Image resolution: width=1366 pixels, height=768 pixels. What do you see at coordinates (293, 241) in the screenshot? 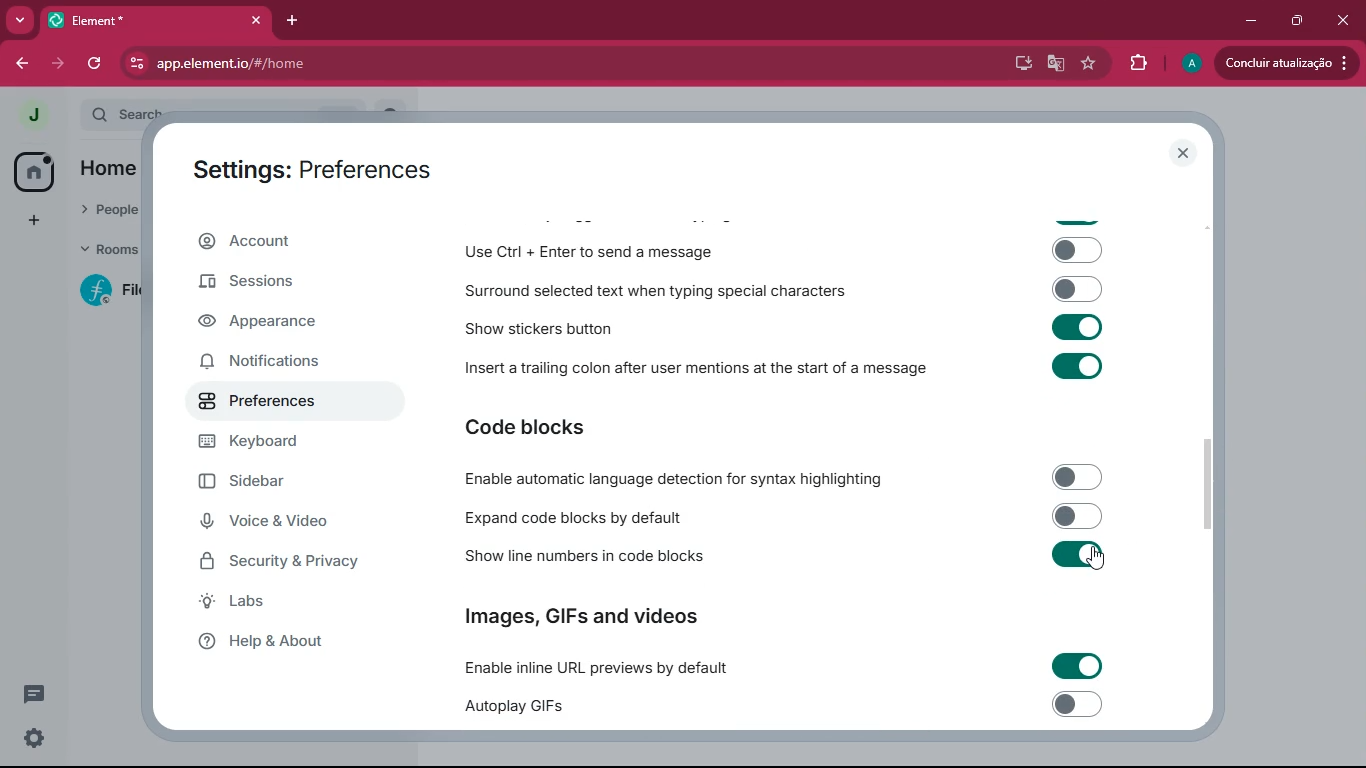
I see `account` at bounding box center [293, 241].